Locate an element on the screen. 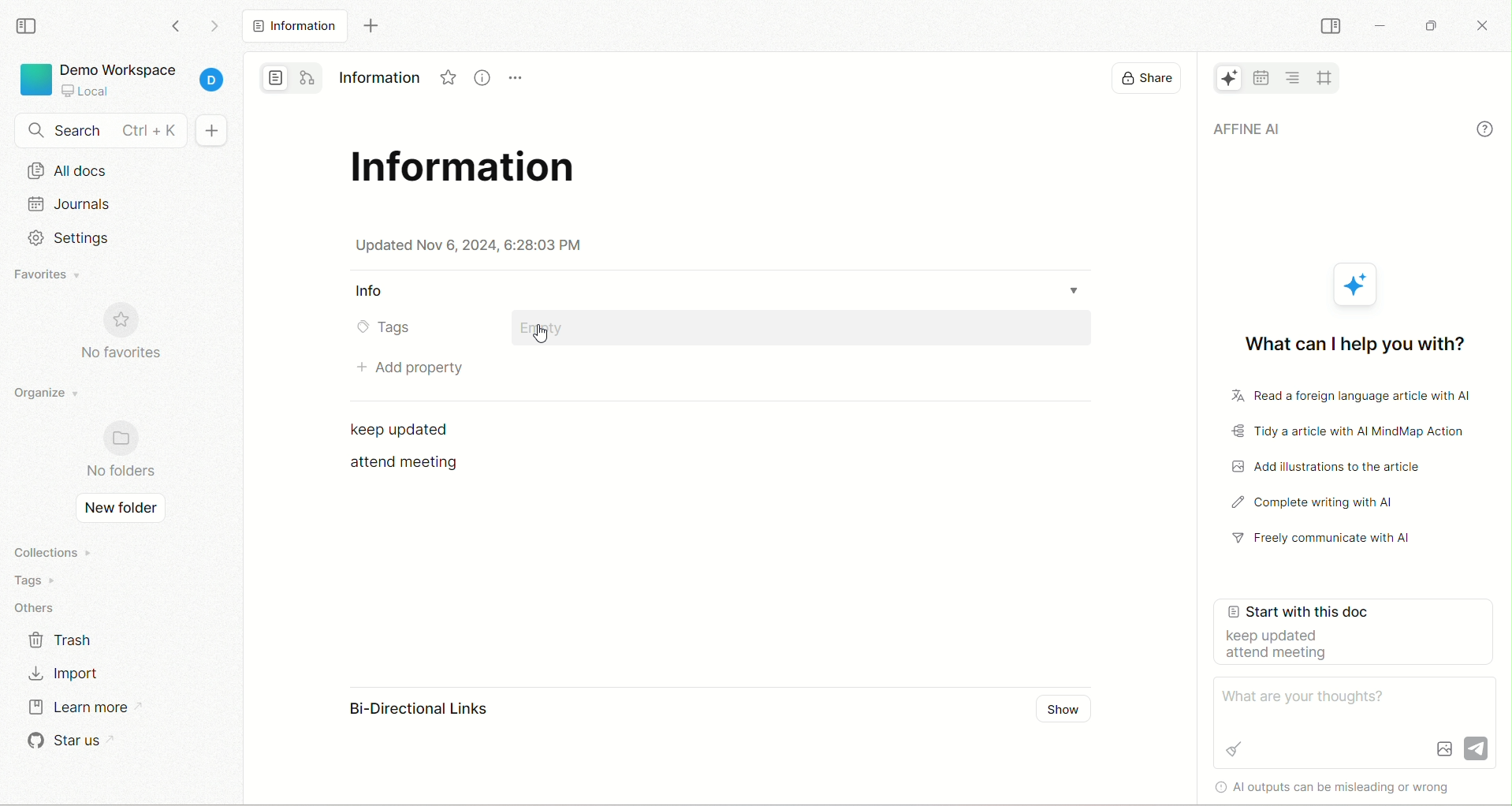  minimize is located at coordinates (1380, 26).